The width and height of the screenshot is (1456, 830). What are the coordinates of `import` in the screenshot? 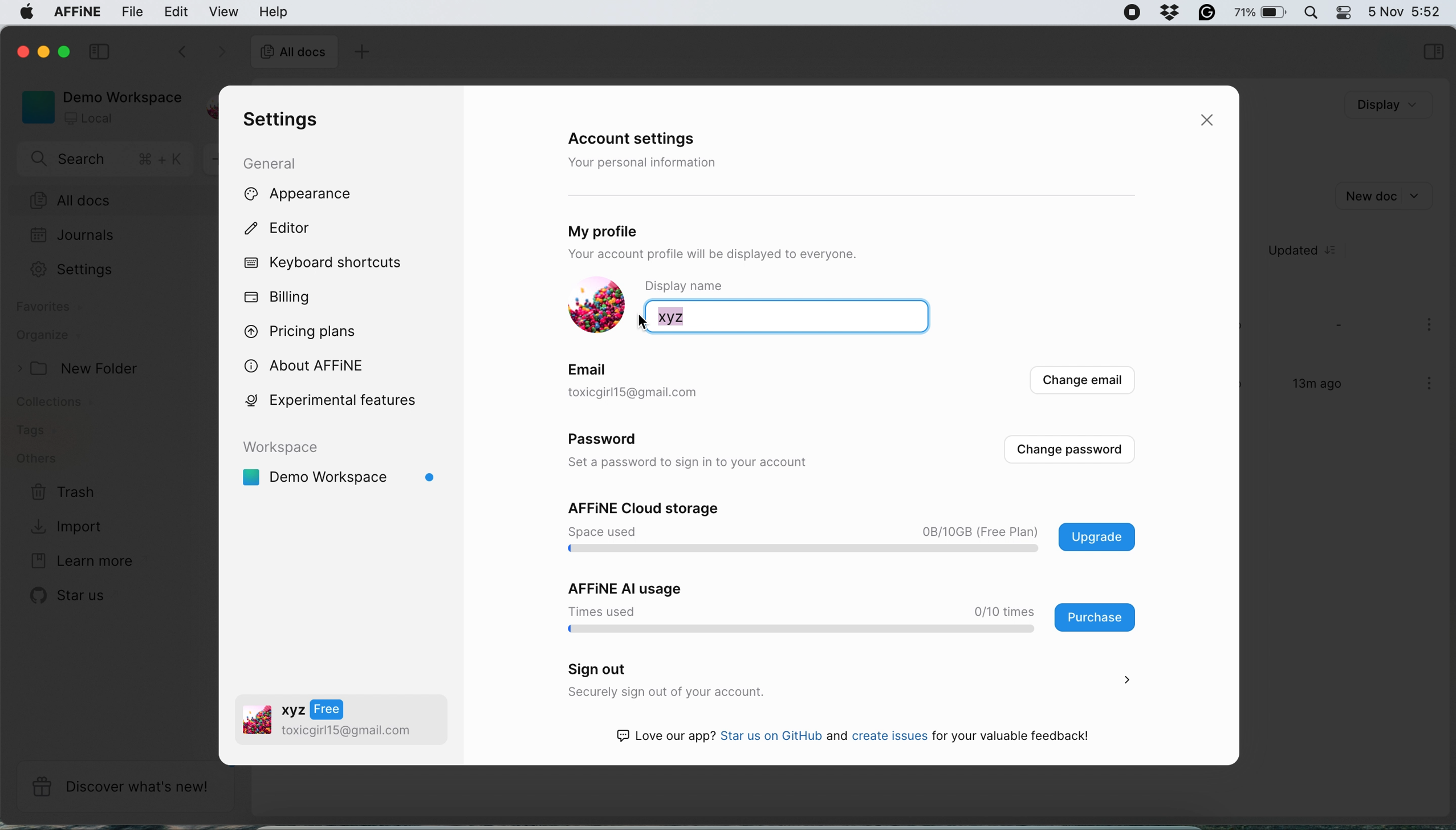 It's located at (70, 525).